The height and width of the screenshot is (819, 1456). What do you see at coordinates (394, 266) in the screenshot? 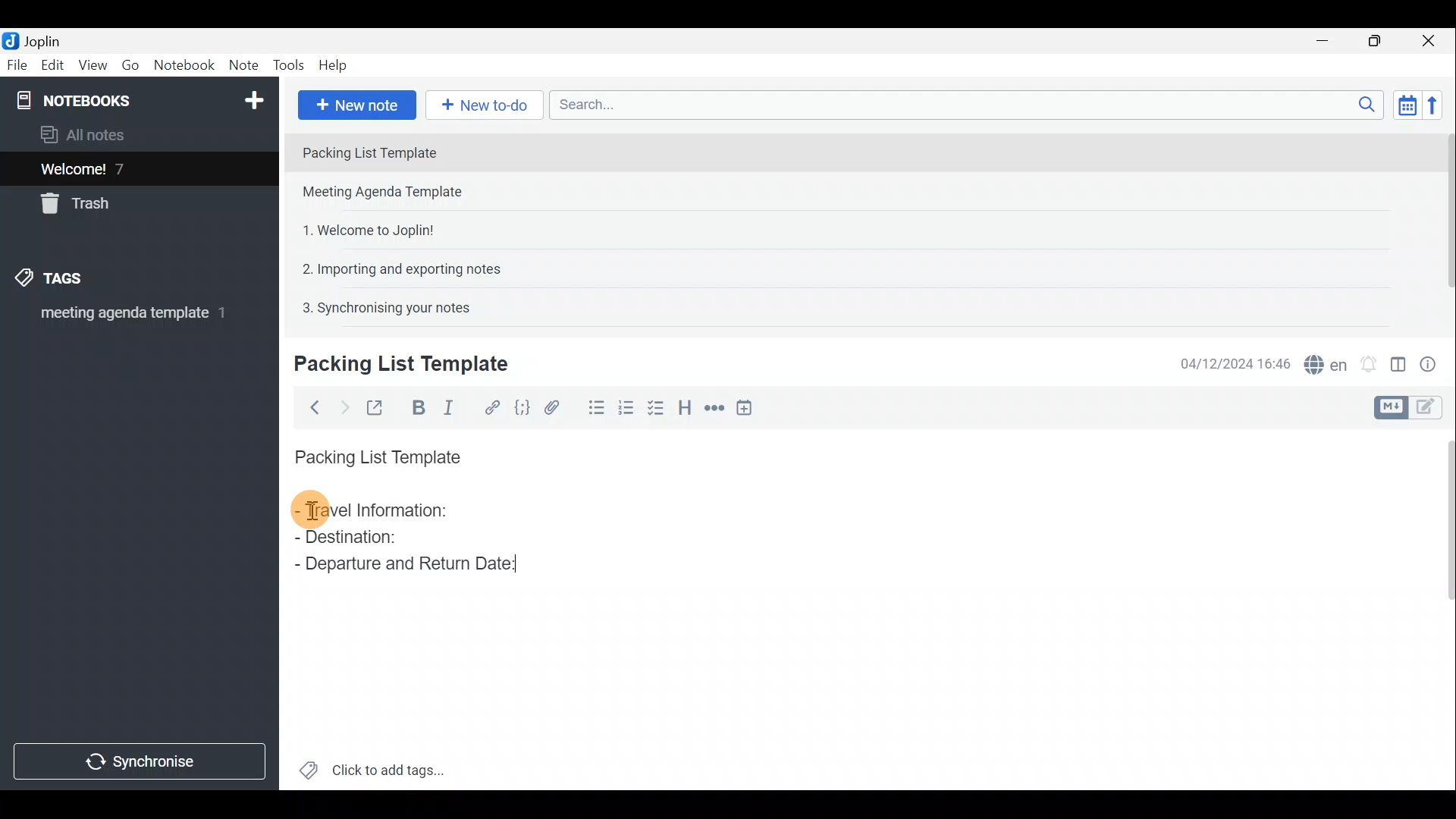
I see `Note 4` at bounding box center [394, 266].